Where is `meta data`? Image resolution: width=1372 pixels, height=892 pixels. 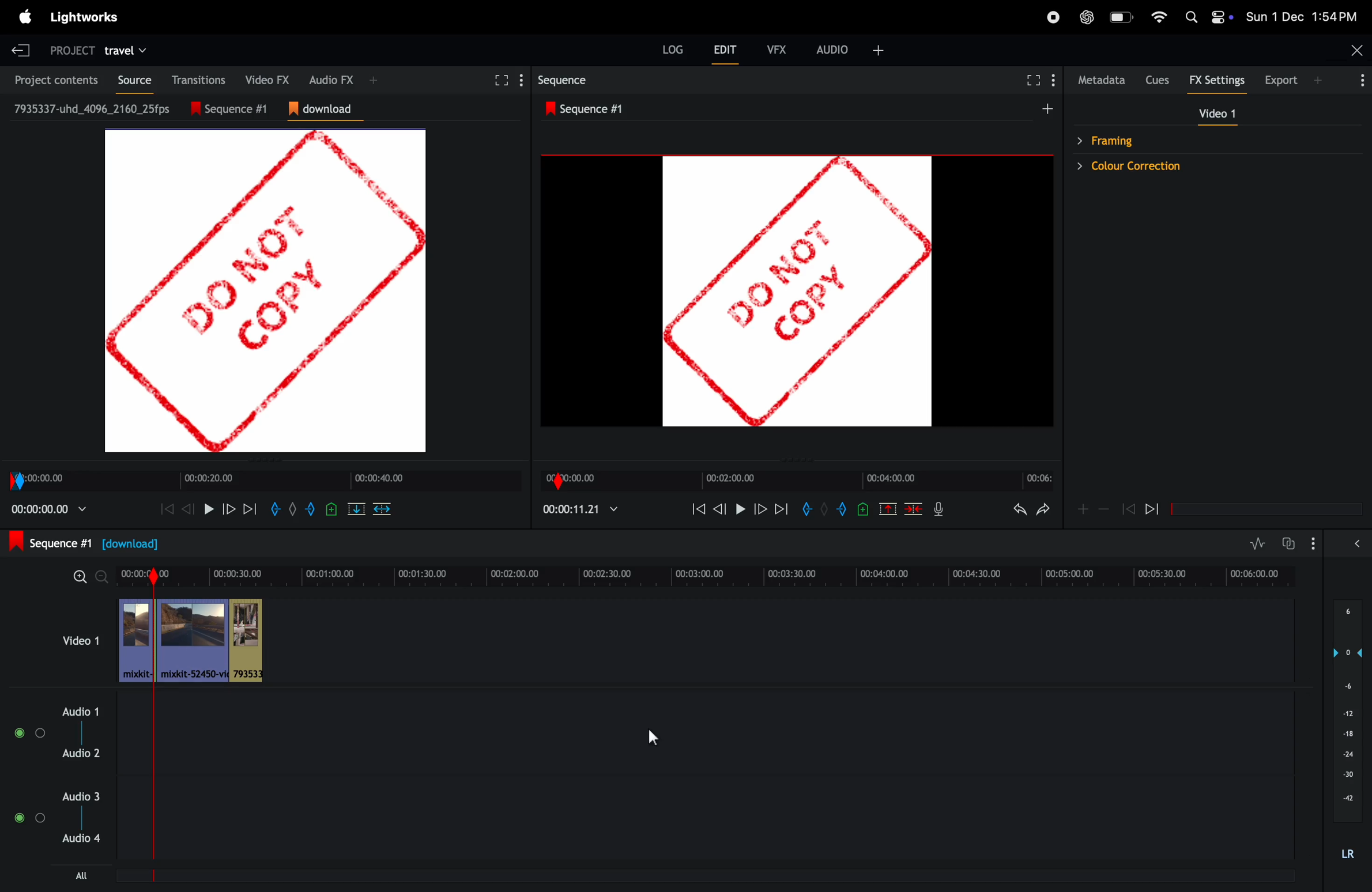 meta data is located at coordinates (1102, 80).